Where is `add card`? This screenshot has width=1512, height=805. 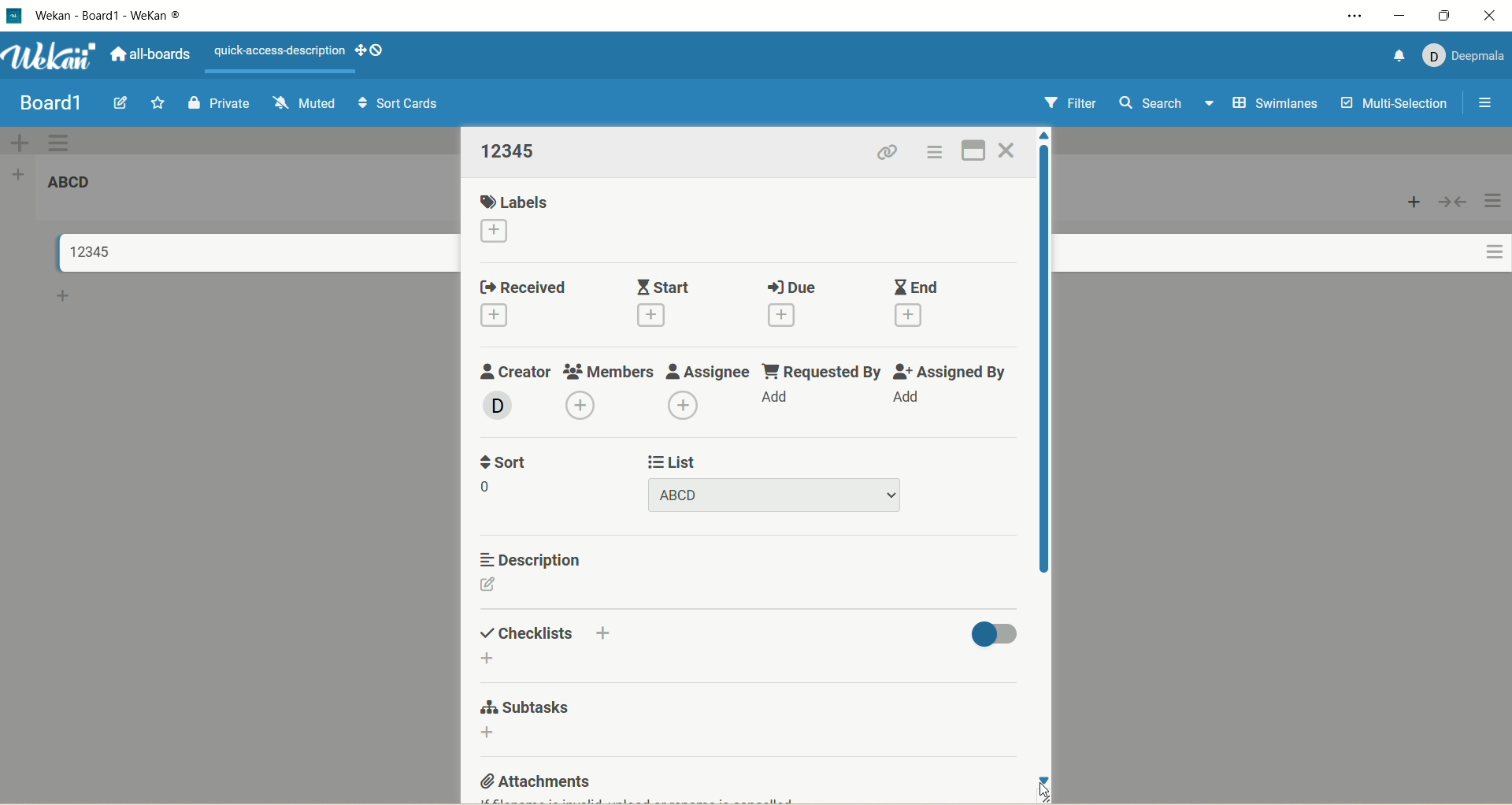
add card is located at coordinates (64, 299).